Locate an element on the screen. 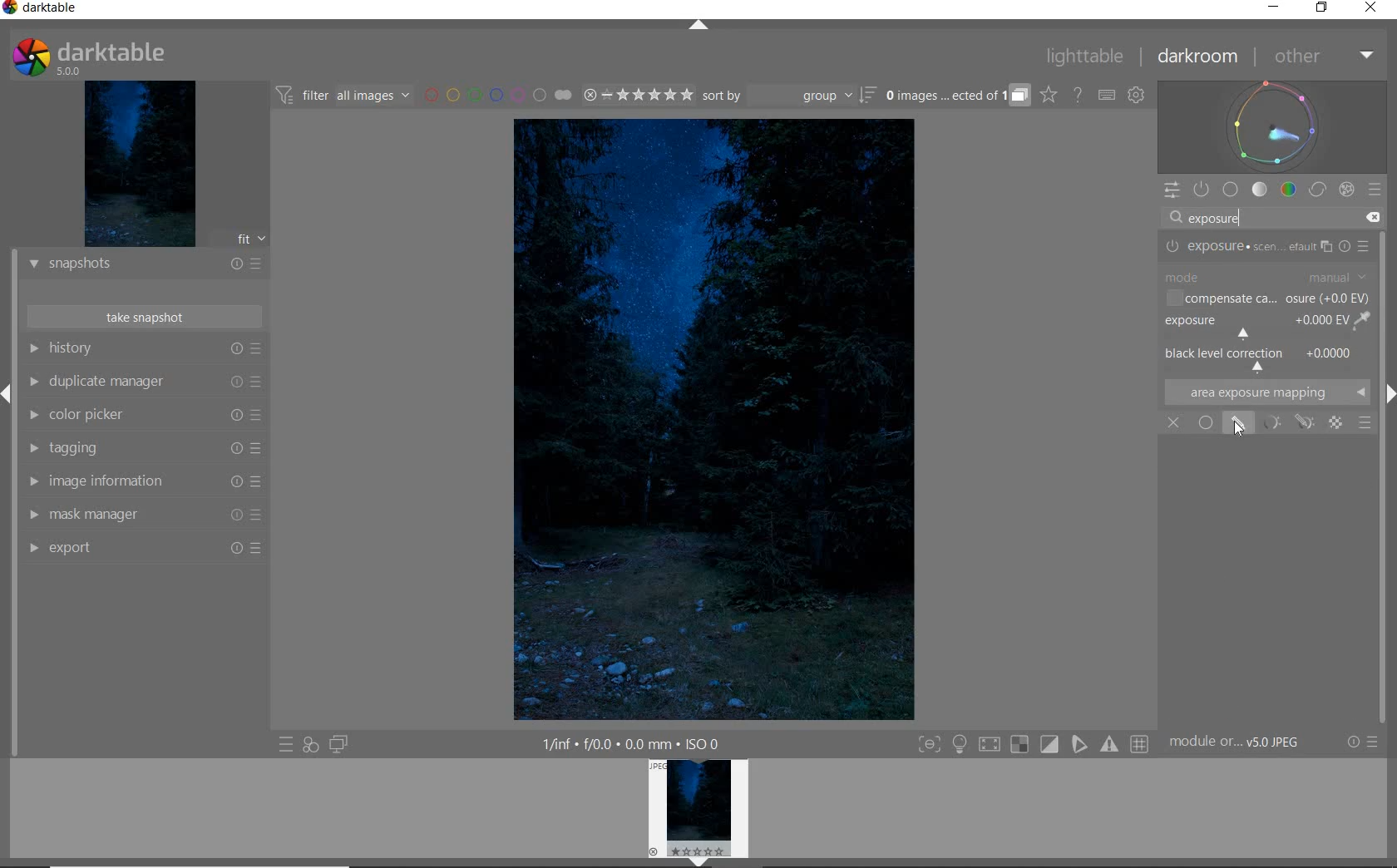  EXPORT is located at coordinates (144, 550).